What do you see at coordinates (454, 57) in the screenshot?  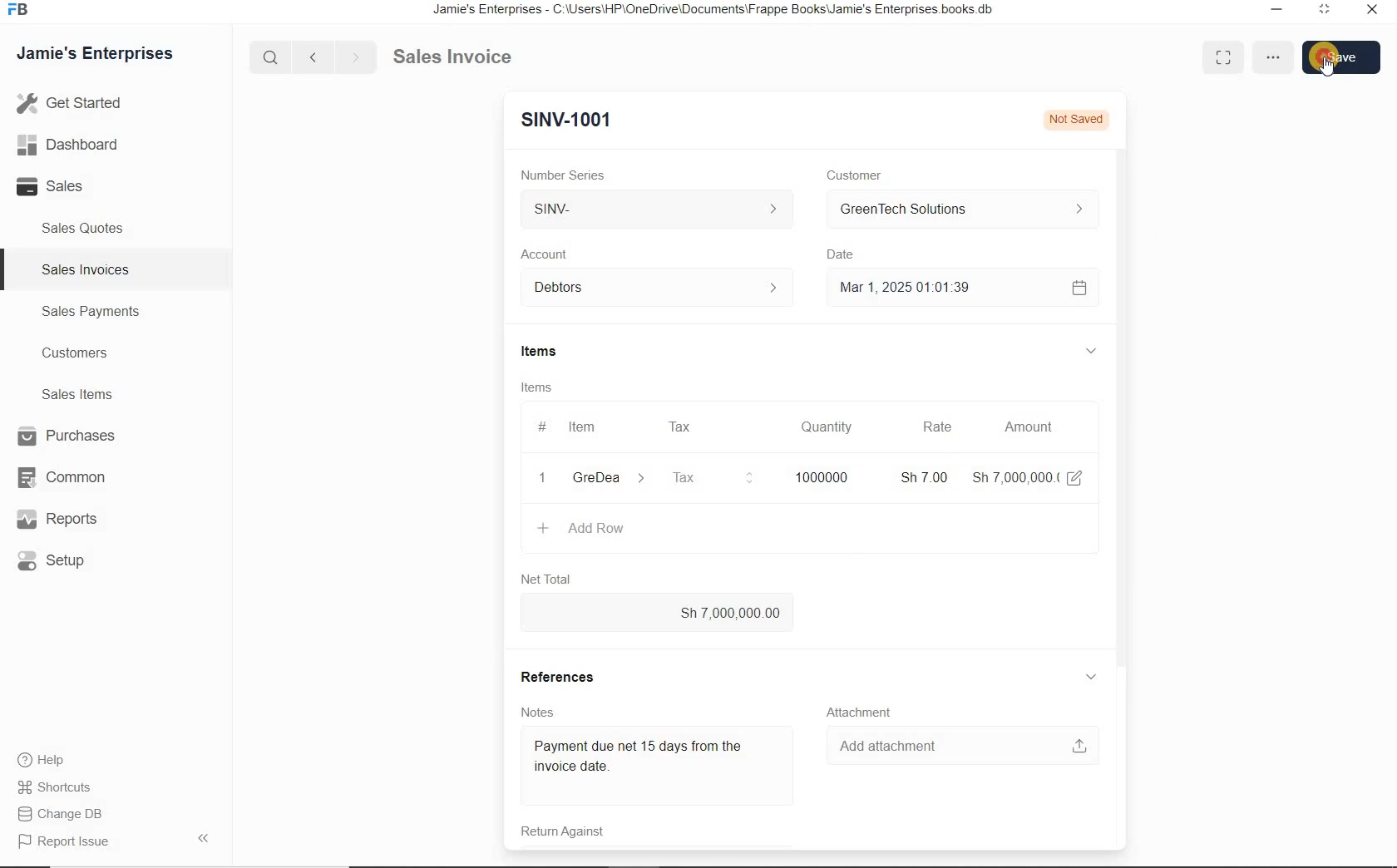 I see `Sales Invoice` at bounding box center [454, 57].